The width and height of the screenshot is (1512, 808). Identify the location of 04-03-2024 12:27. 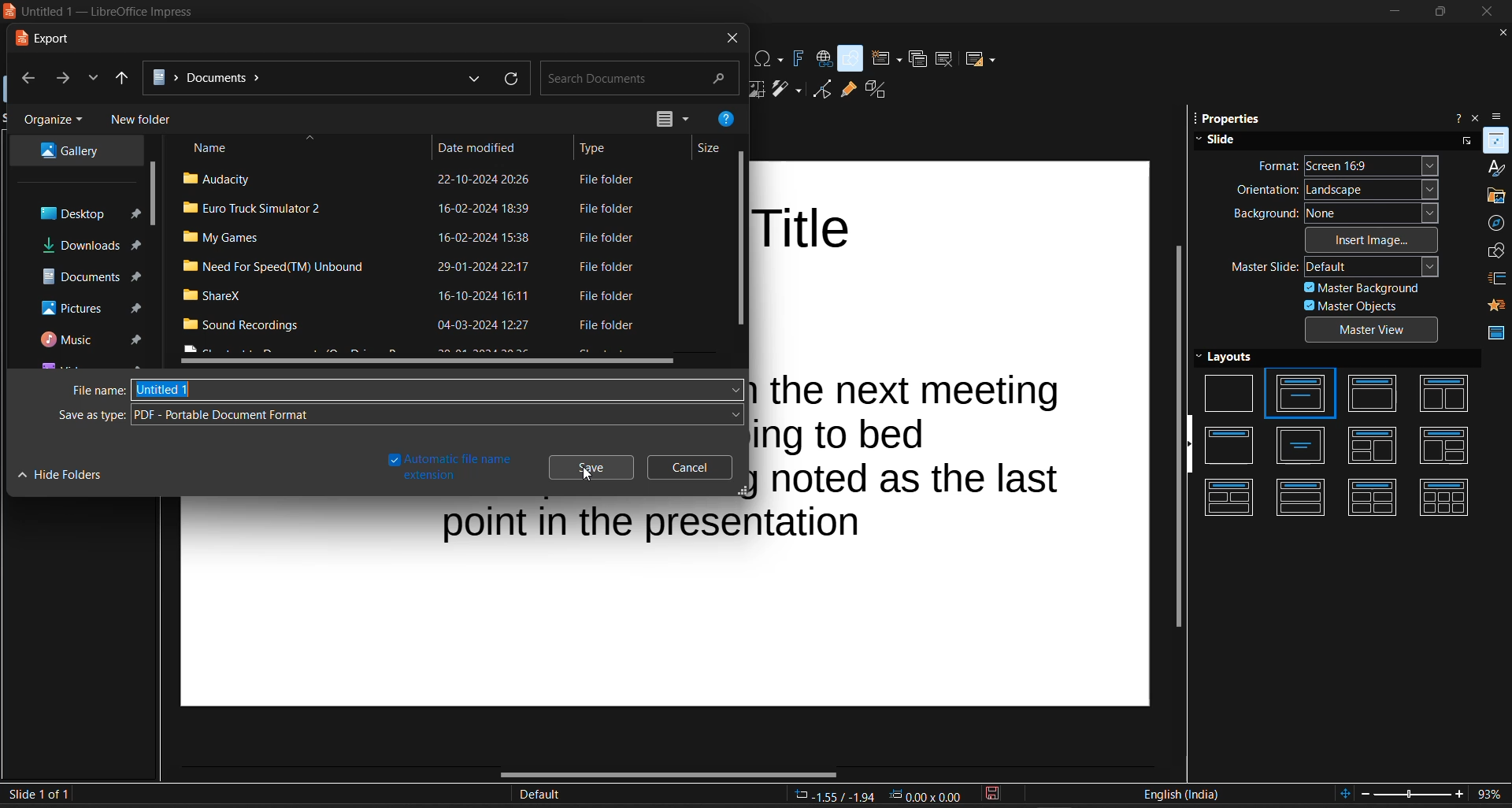
(482, 325).